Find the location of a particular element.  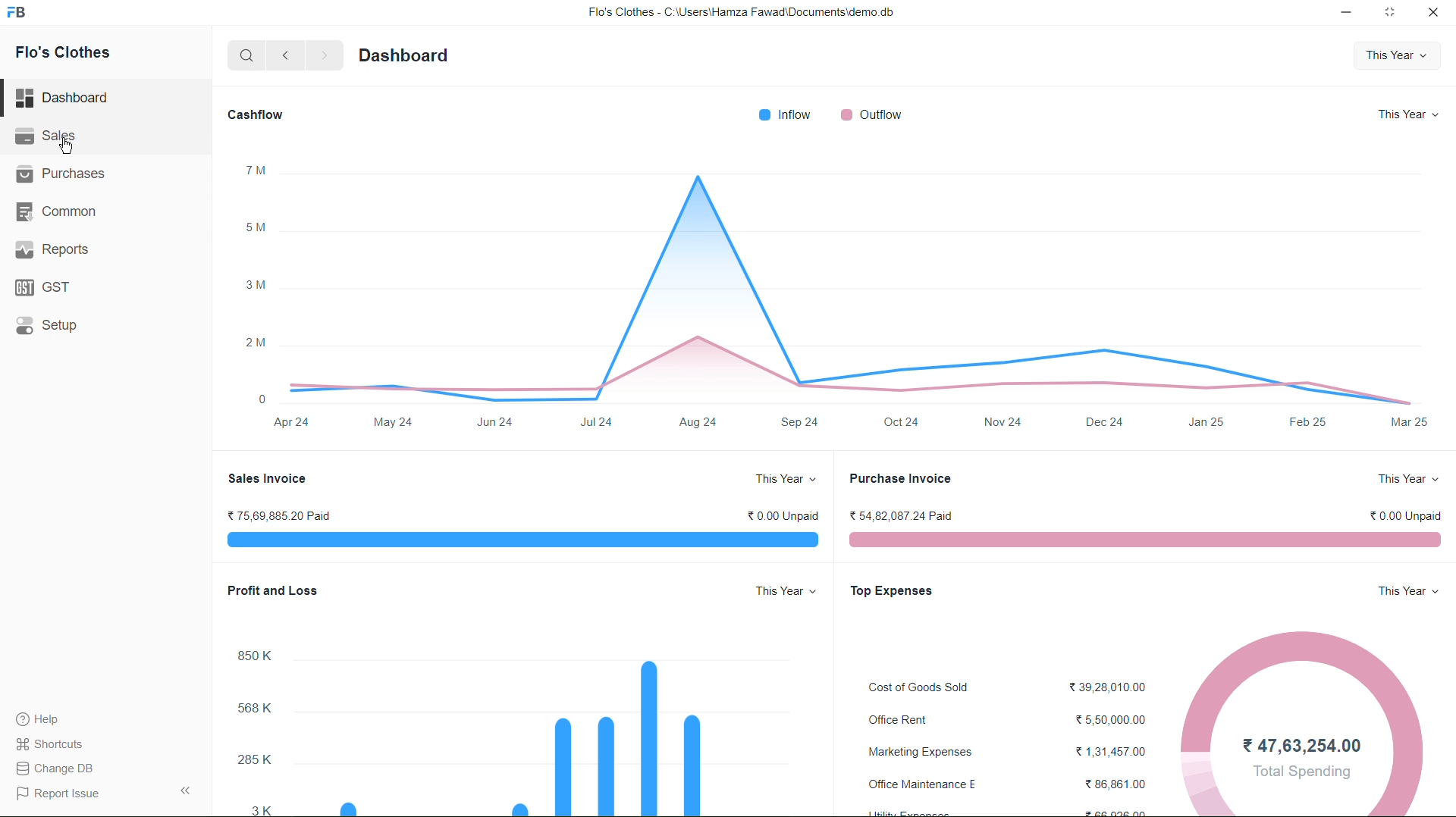

This Year  is located at coordinates (1404, 477).